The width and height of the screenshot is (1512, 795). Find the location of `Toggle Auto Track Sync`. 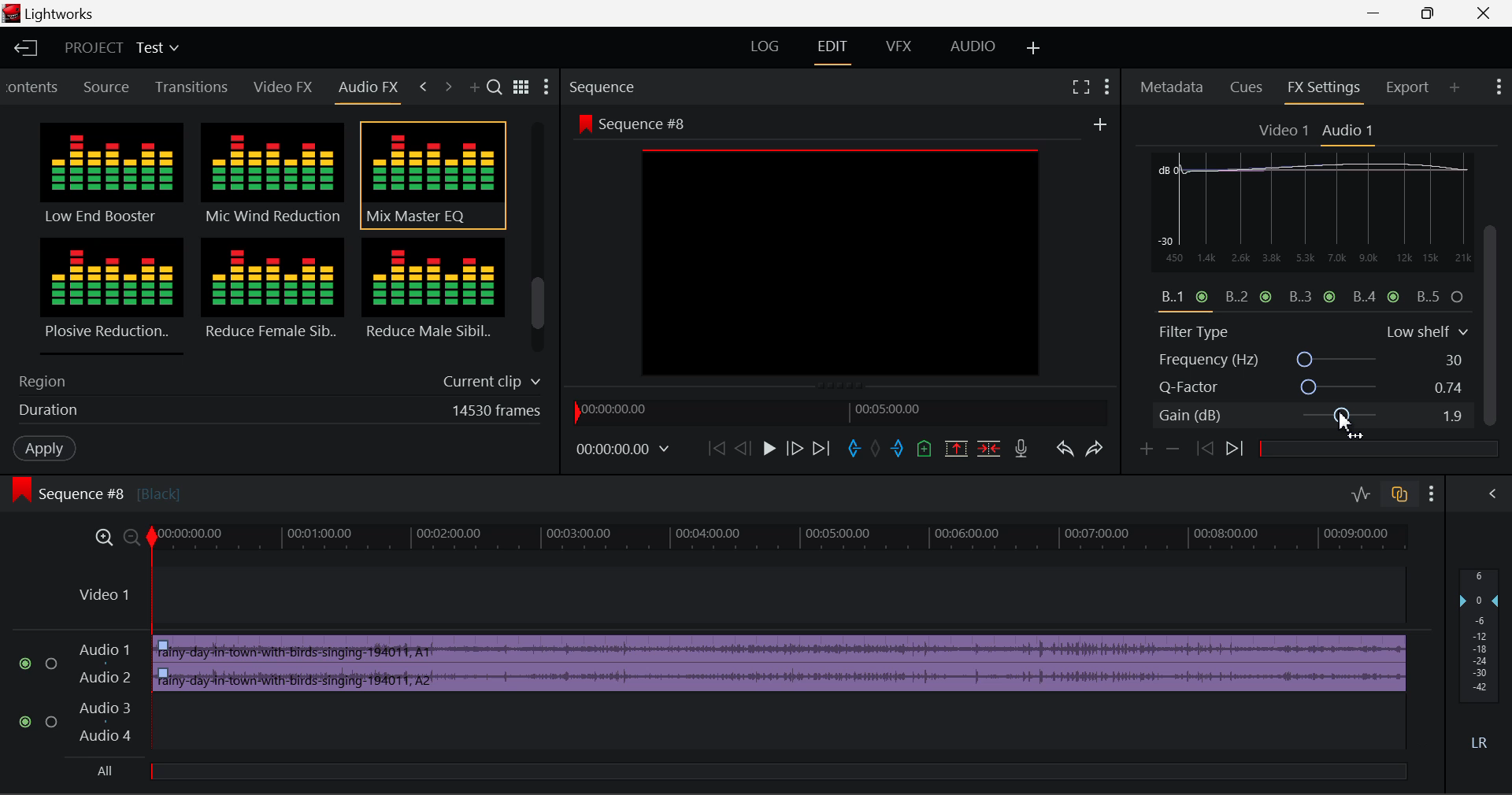

Toggle Auto Track Sync is located at coordinates (1399, 495).